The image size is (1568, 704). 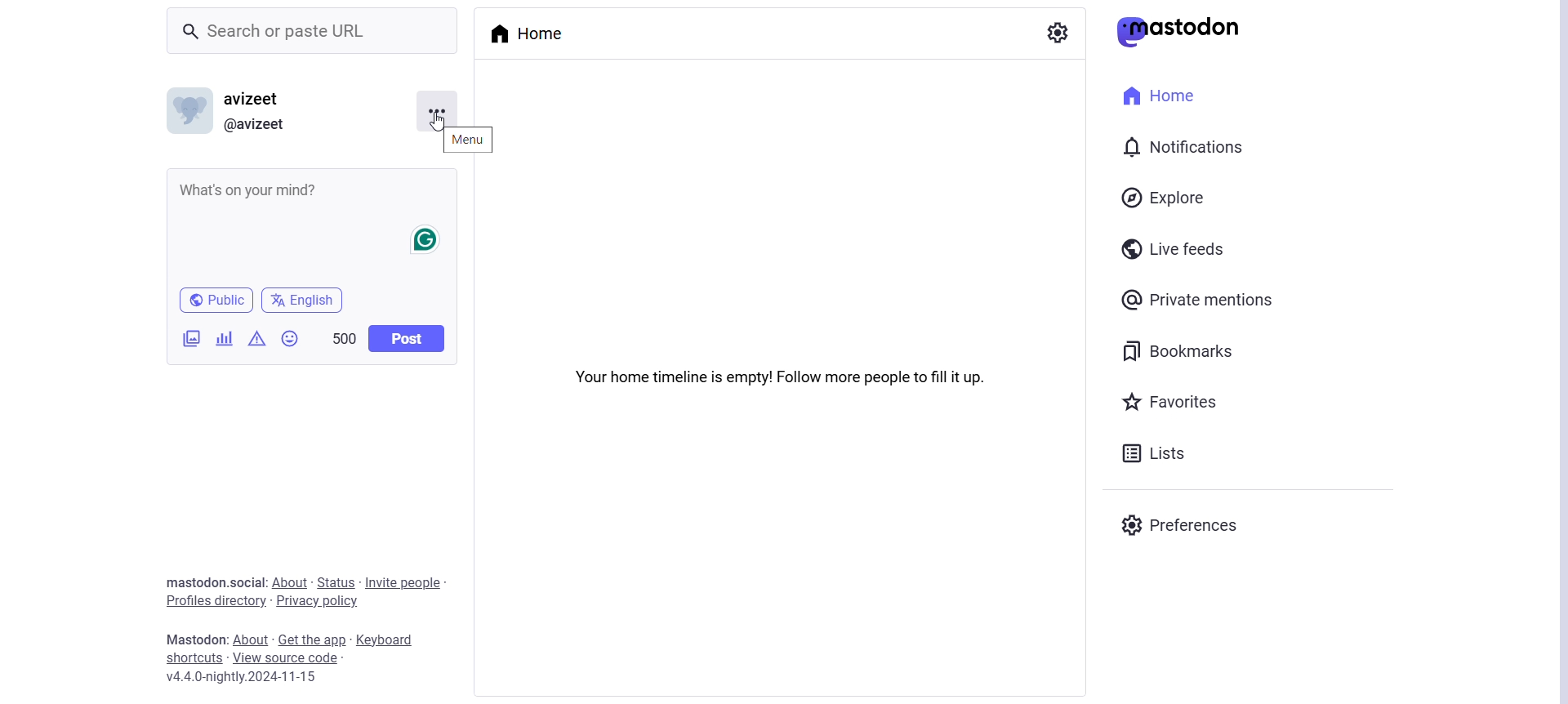 What do you see at coordinates (439, 112) in the screenshot?
I see `Menu` at bounding box center [439, 112].